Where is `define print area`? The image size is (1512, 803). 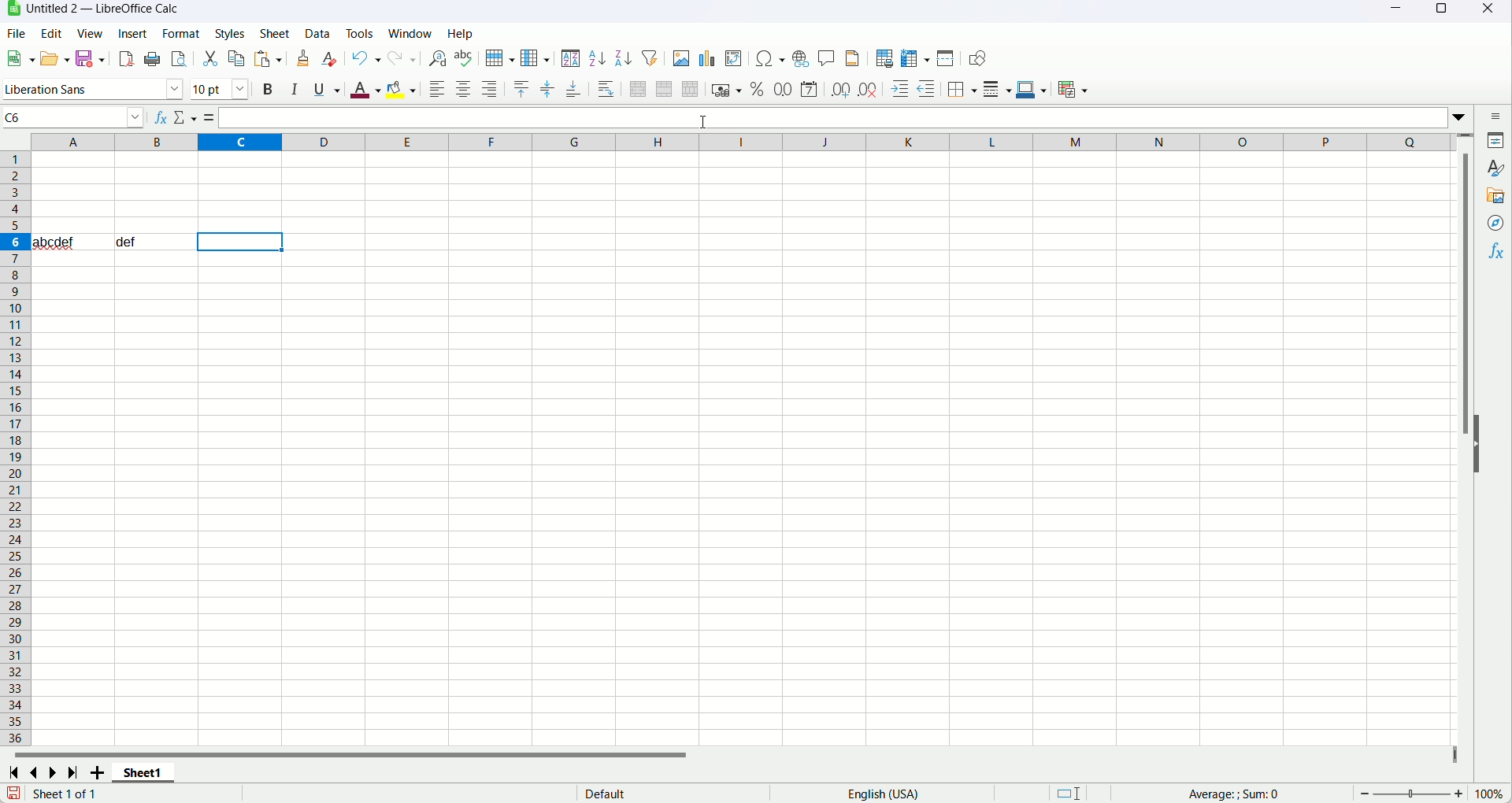
define print area is located at coordinates (883, 59).